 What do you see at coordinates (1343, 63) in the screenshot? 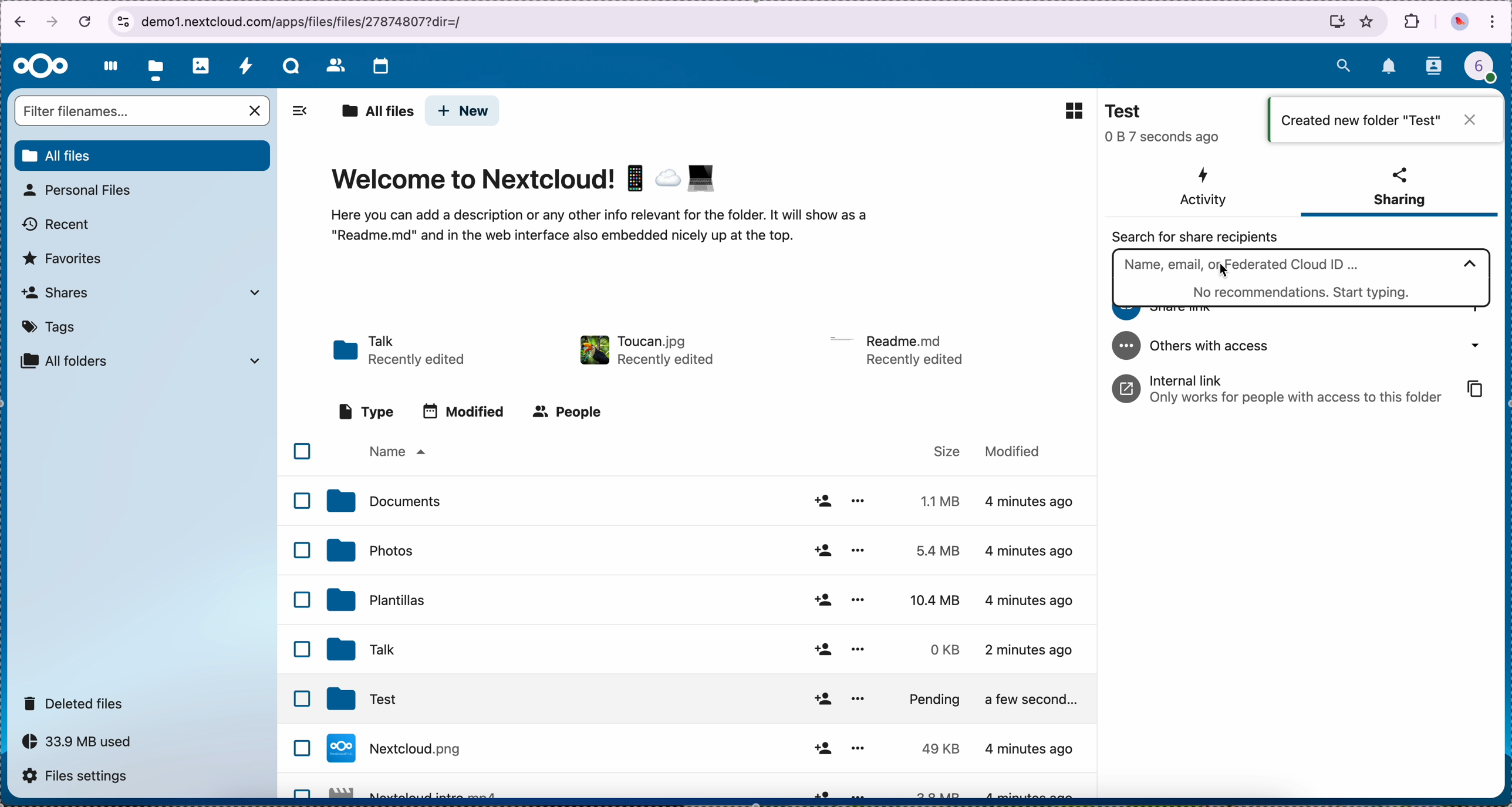
I see `search` at bounding box center [1343, 63].